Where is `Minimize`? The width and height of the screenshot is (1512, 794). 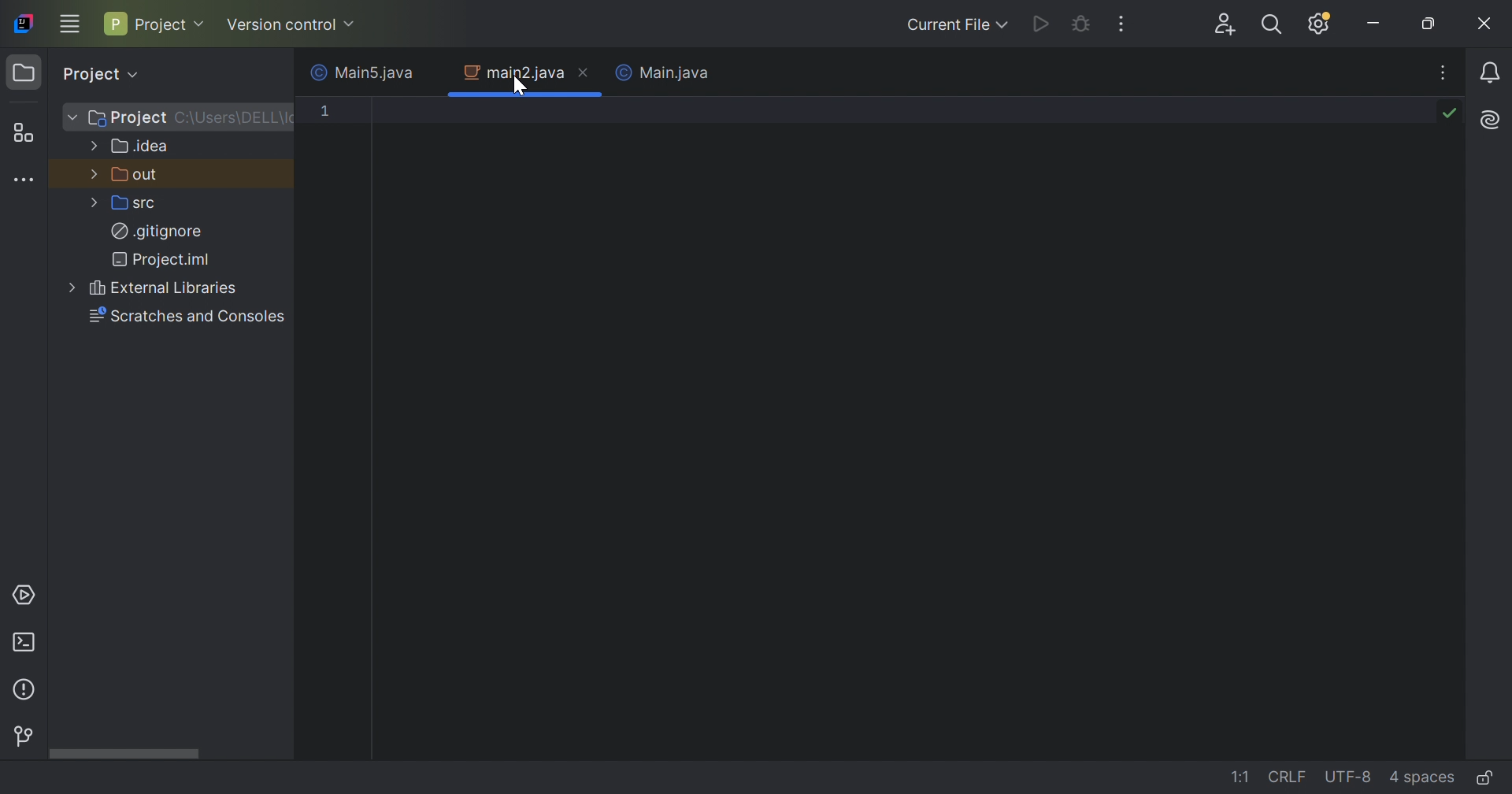 Minimize is located at coordinates (1374, 24).